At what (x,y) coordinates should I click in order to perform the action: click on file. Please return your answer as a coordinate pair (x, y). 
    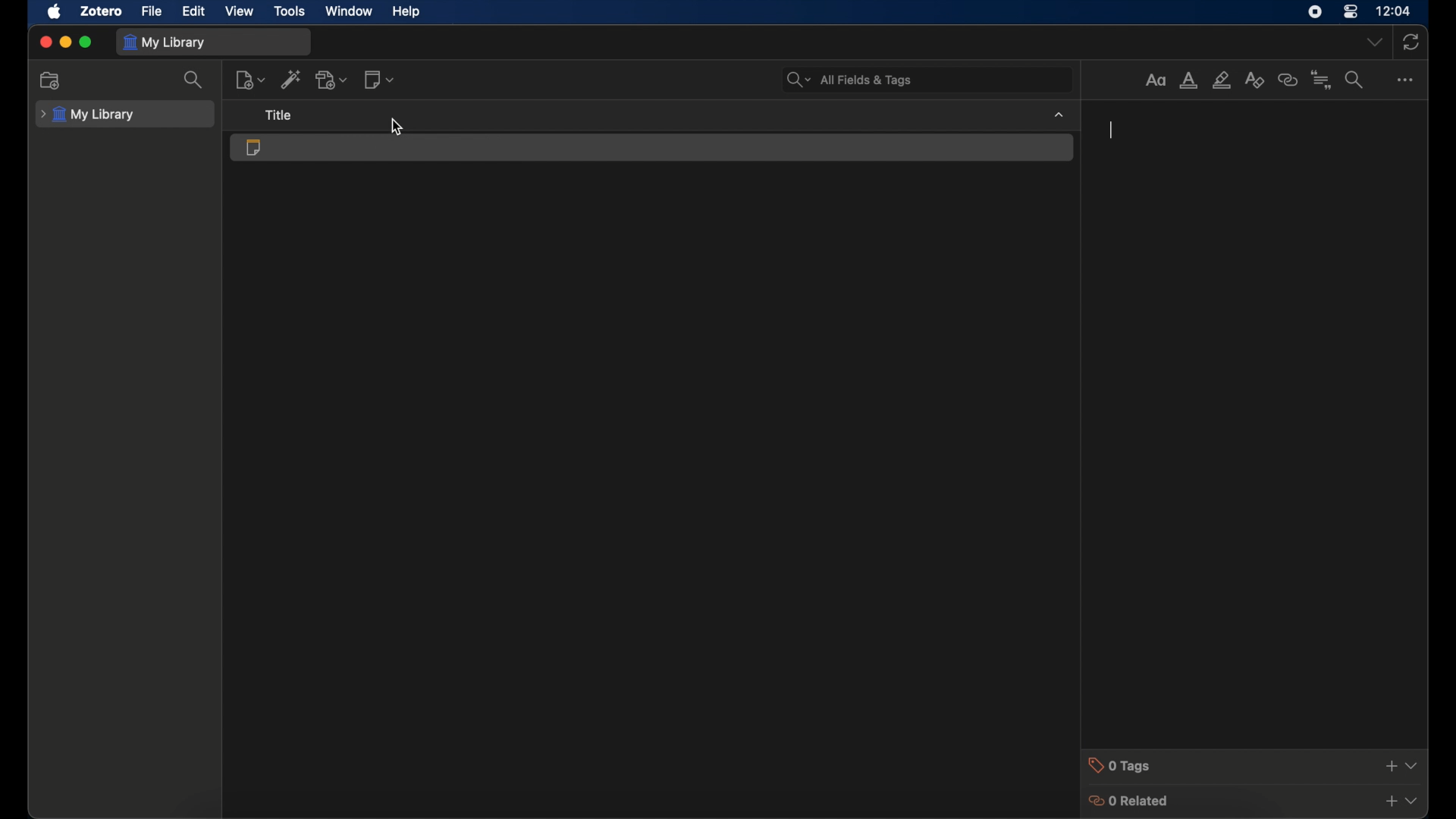
    Looking at the image, I should click on (152, 11).